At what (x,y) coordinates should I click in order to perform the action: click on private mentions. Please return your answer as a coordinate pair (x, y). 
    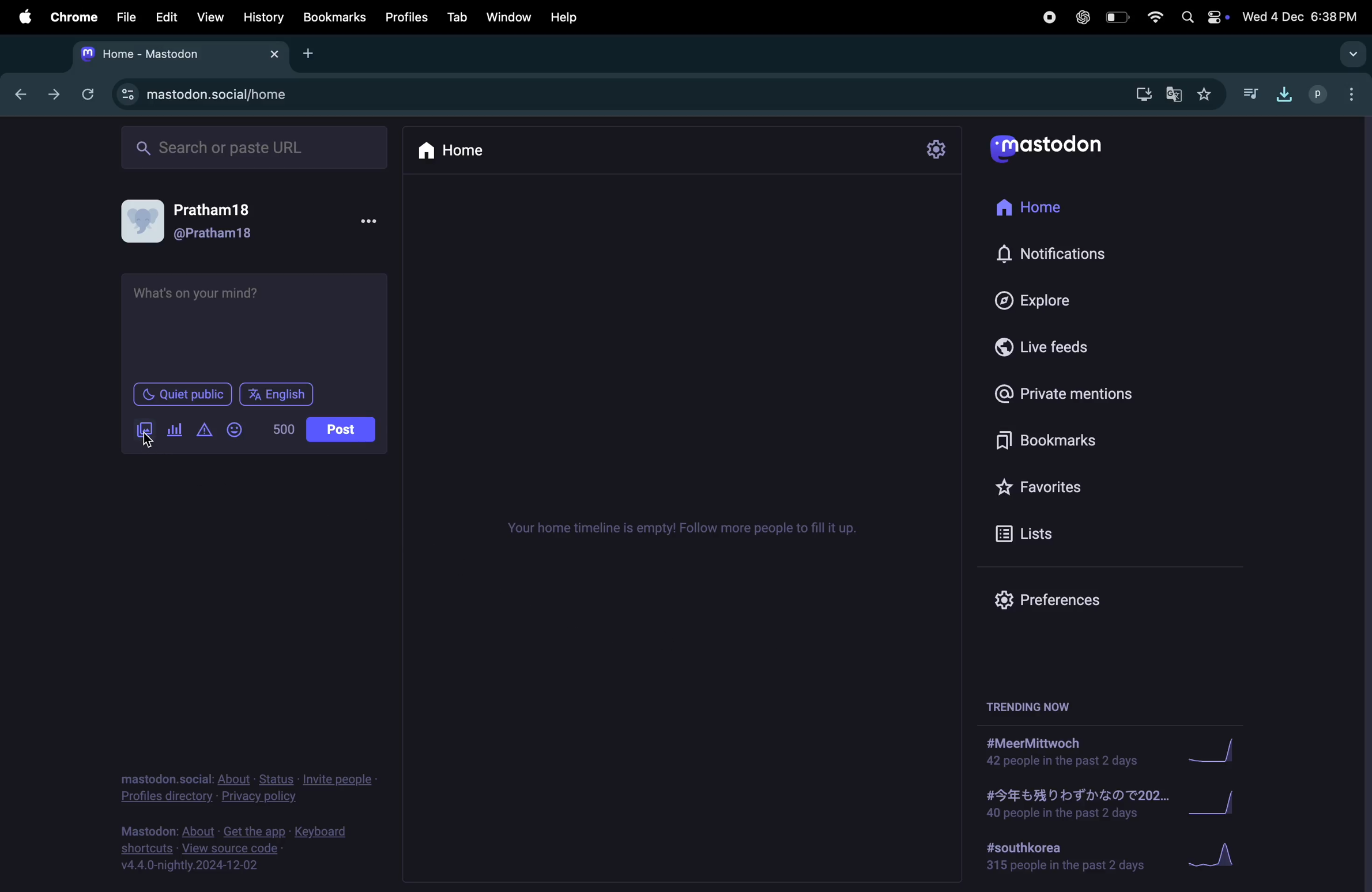
    Looking at the image, I should click on (1065, 397).